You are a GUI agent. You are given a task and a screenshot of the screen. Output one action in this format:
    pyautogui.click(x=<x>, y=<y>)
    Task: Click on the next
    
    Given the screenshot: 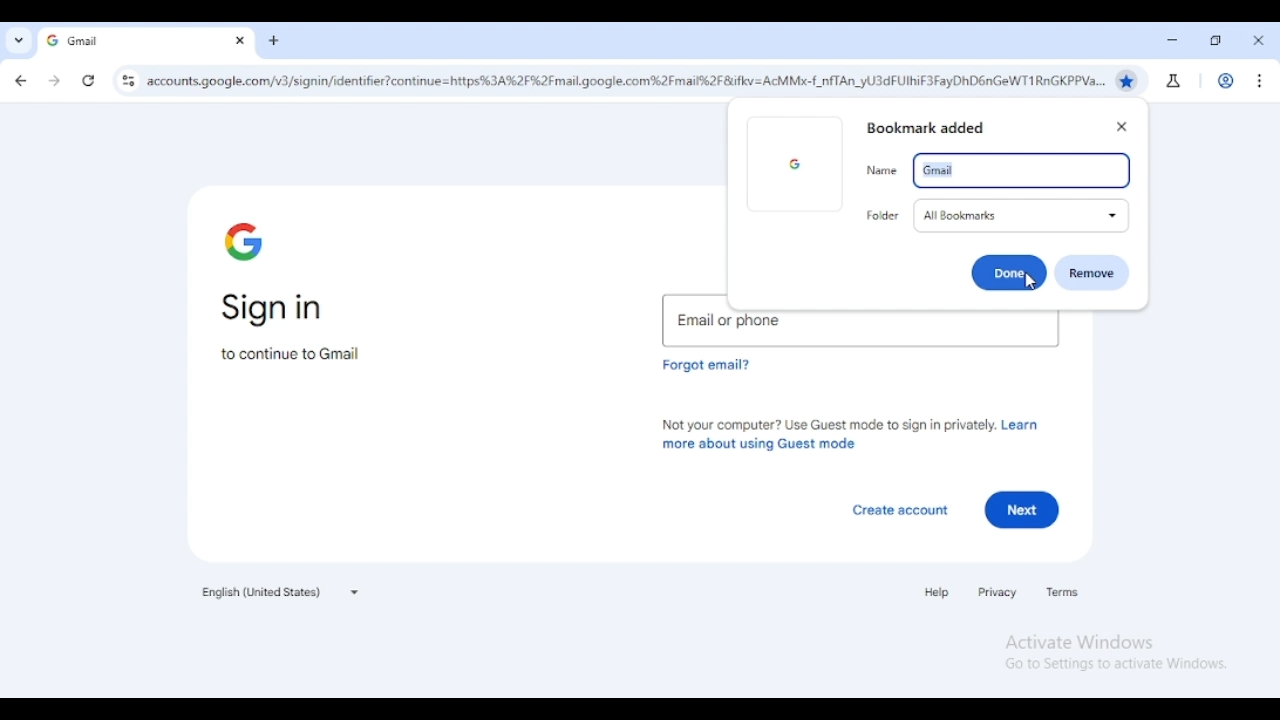 What is the action you would take?
    pyautogui.click(x=1023, y=510)
    